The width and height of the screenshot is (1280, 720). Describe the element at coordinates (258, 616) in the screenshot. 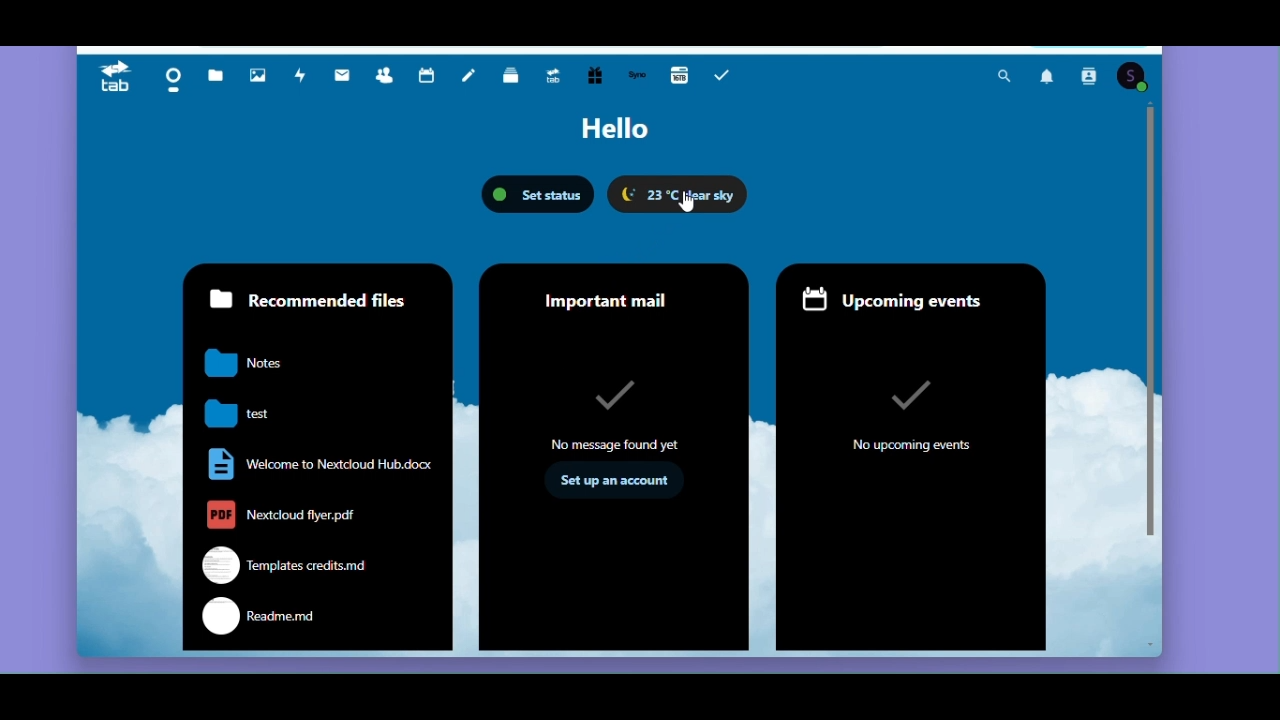

I see `readme.md` at that location.